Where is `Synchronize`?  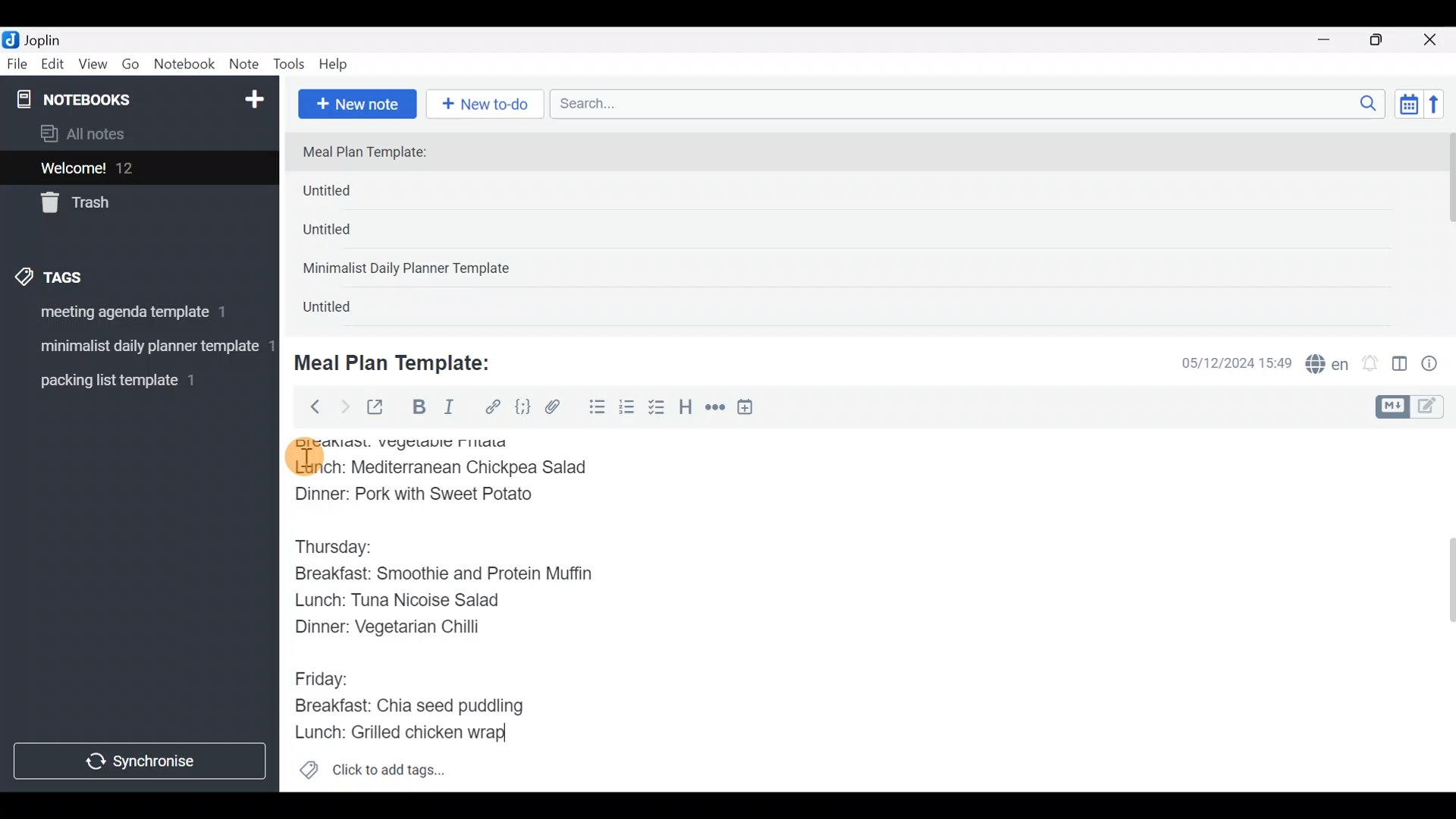
Synchronize is located at coordinates (142, 761).